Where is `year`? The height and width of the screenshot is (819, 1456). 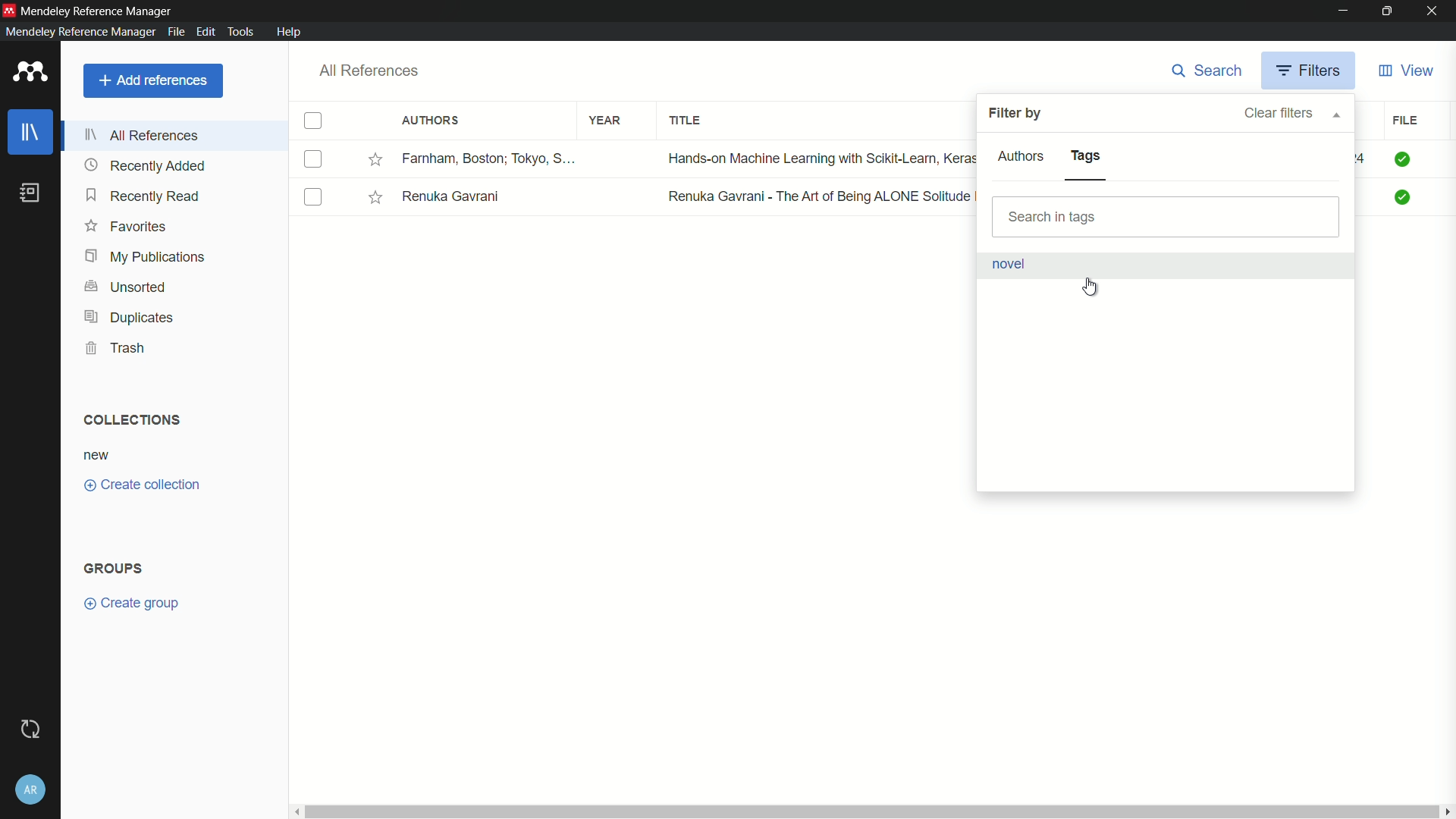
year is located at coordinates (607, 121).